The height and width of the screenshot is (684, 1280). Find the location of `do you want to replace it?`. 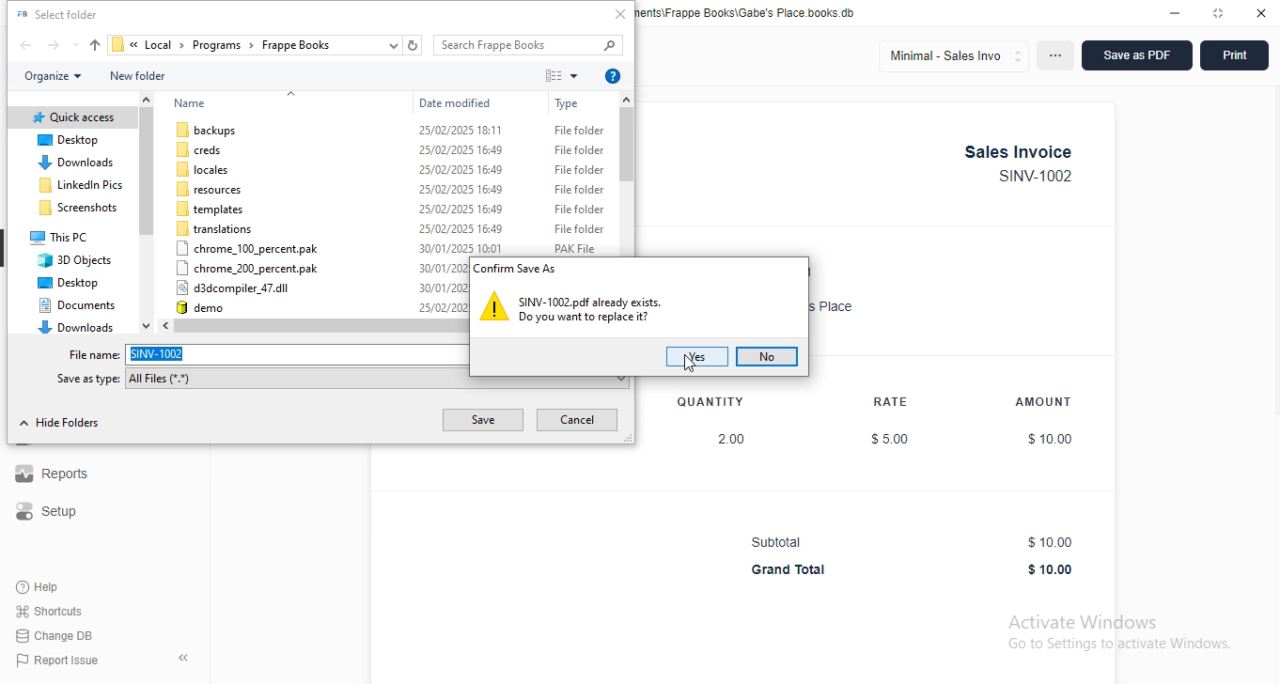

do you want to replace it? is located at coordinates (583, 317).